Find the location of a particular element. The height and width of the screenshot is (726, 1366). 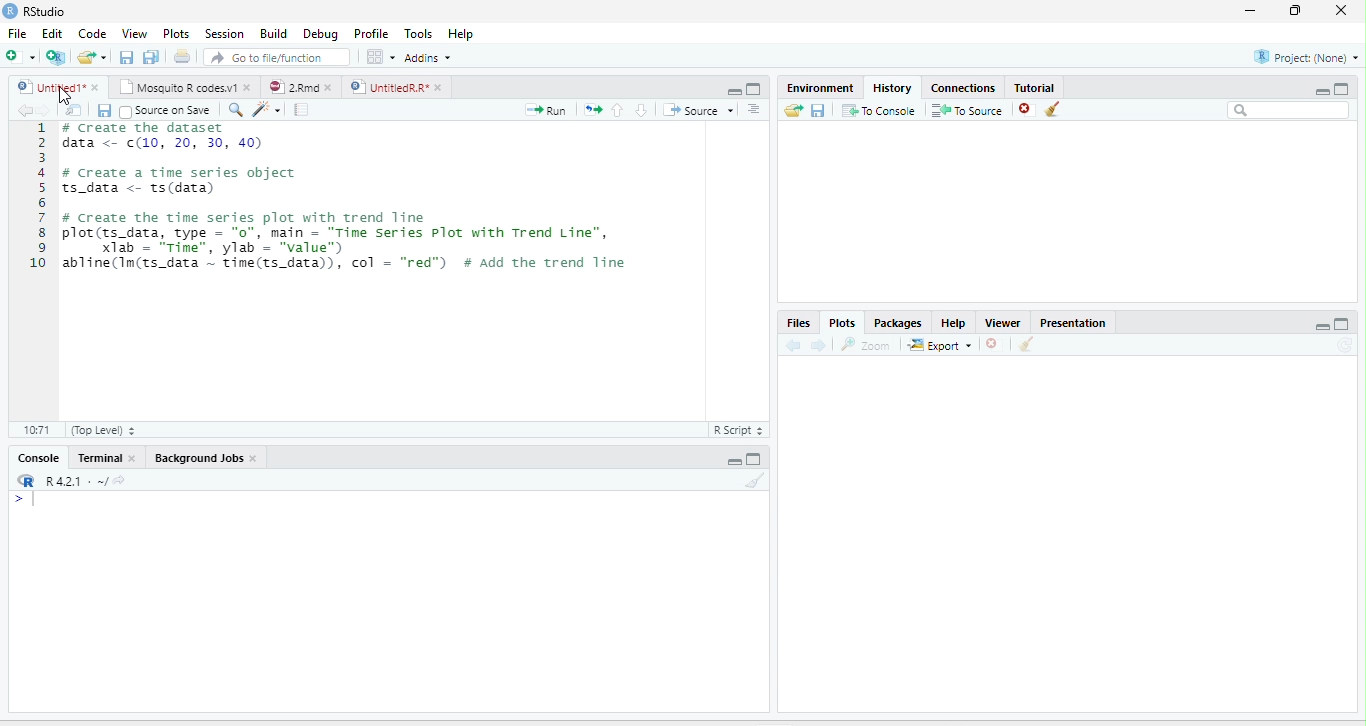

Maximize is located at coordinates (755, 89).